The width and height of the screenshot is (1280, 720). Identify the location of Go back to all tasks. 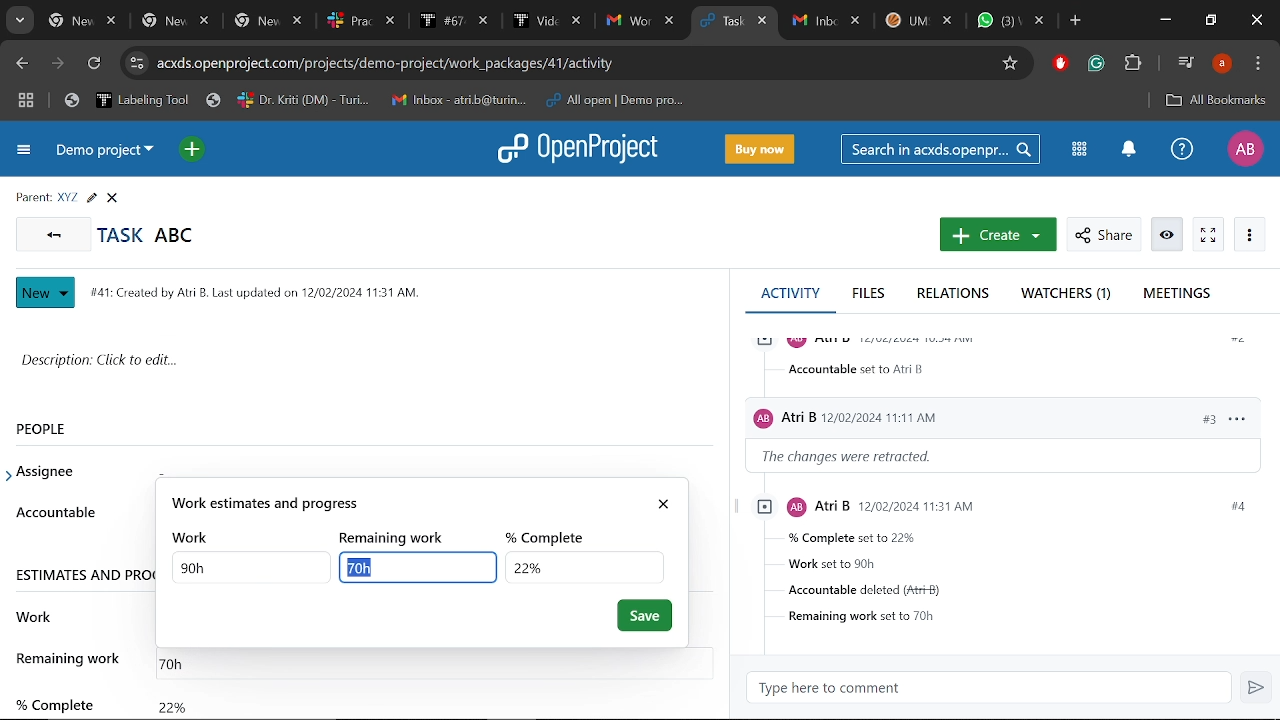
(54, 235).